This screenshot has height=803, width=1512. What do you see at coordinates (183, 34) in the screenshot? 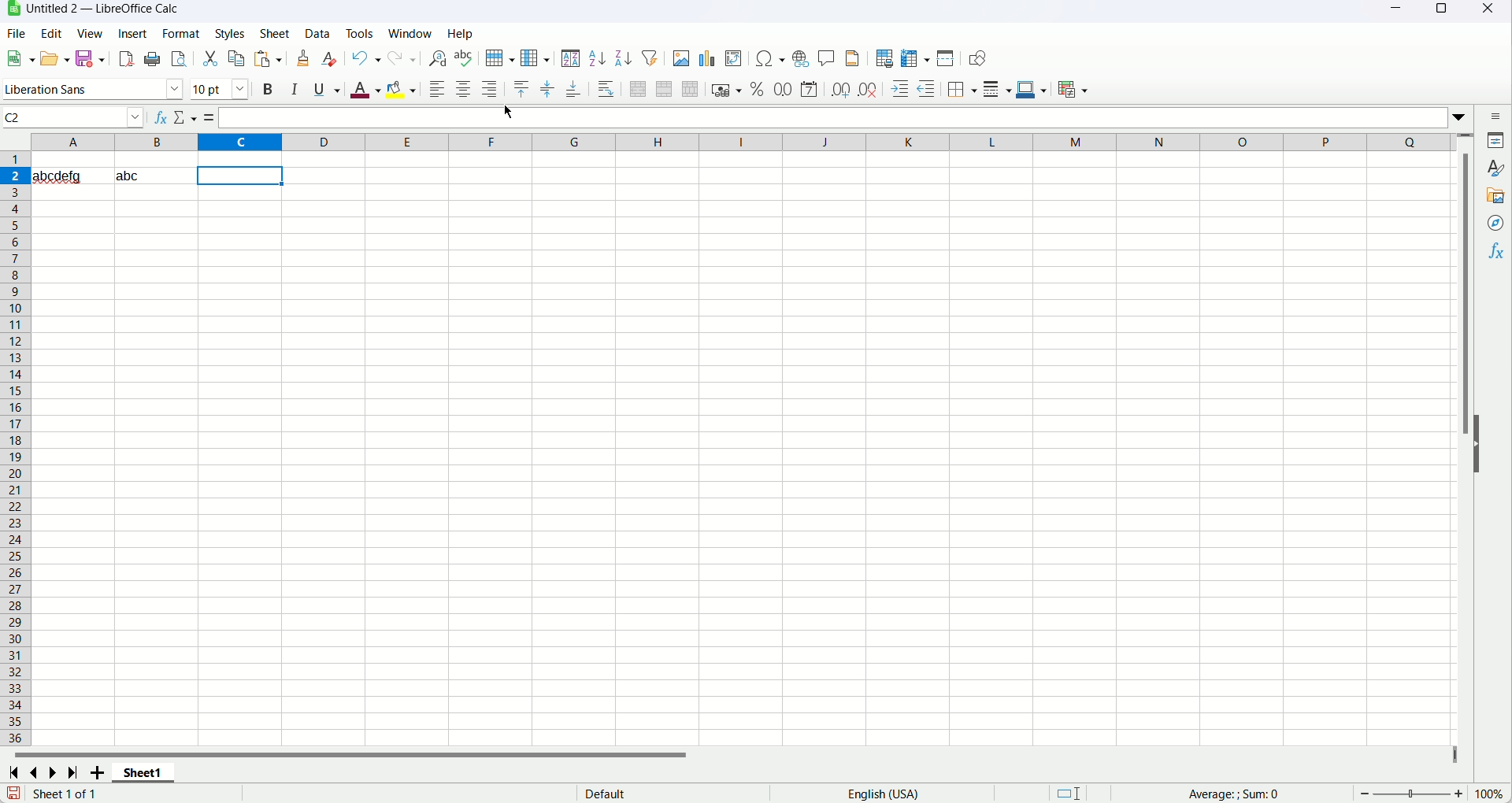
I see `format` at bounding box center [183, 34].